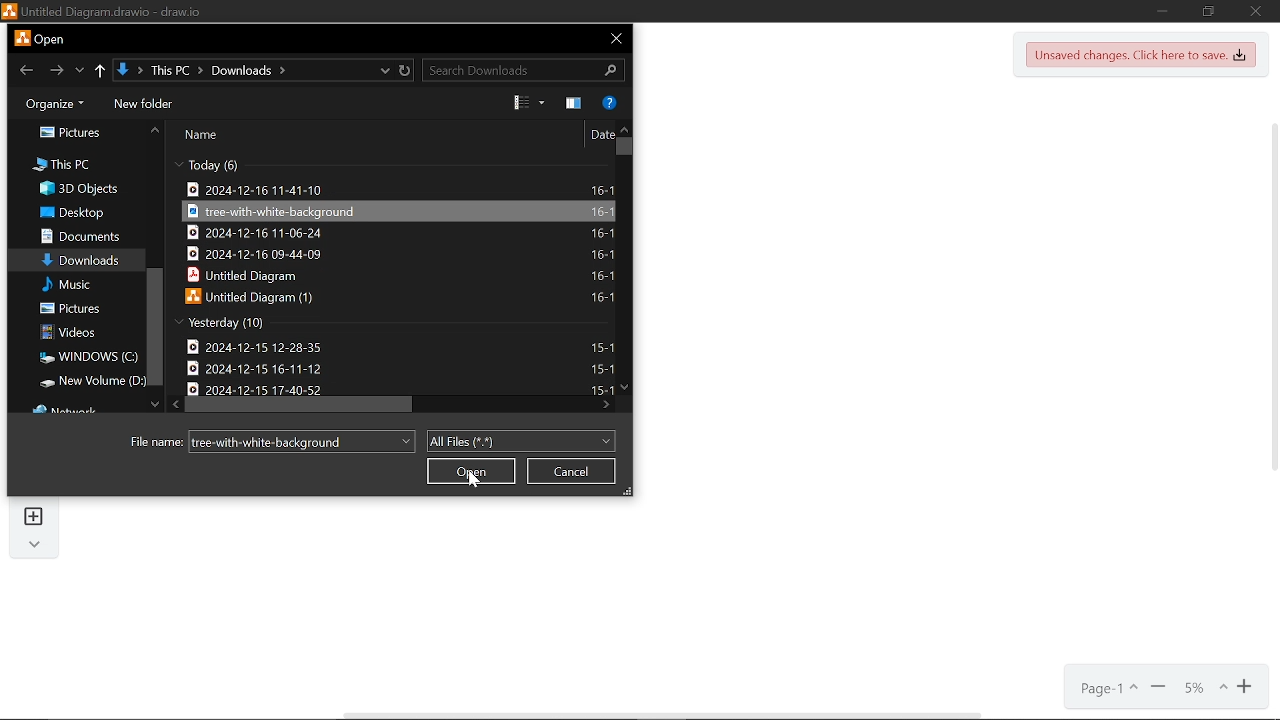 This screenshot has height=720, width=1280. What do you see at coordinates (63, 166) in the screenshot?
I see `this pc` at bounding box center [63, 166].